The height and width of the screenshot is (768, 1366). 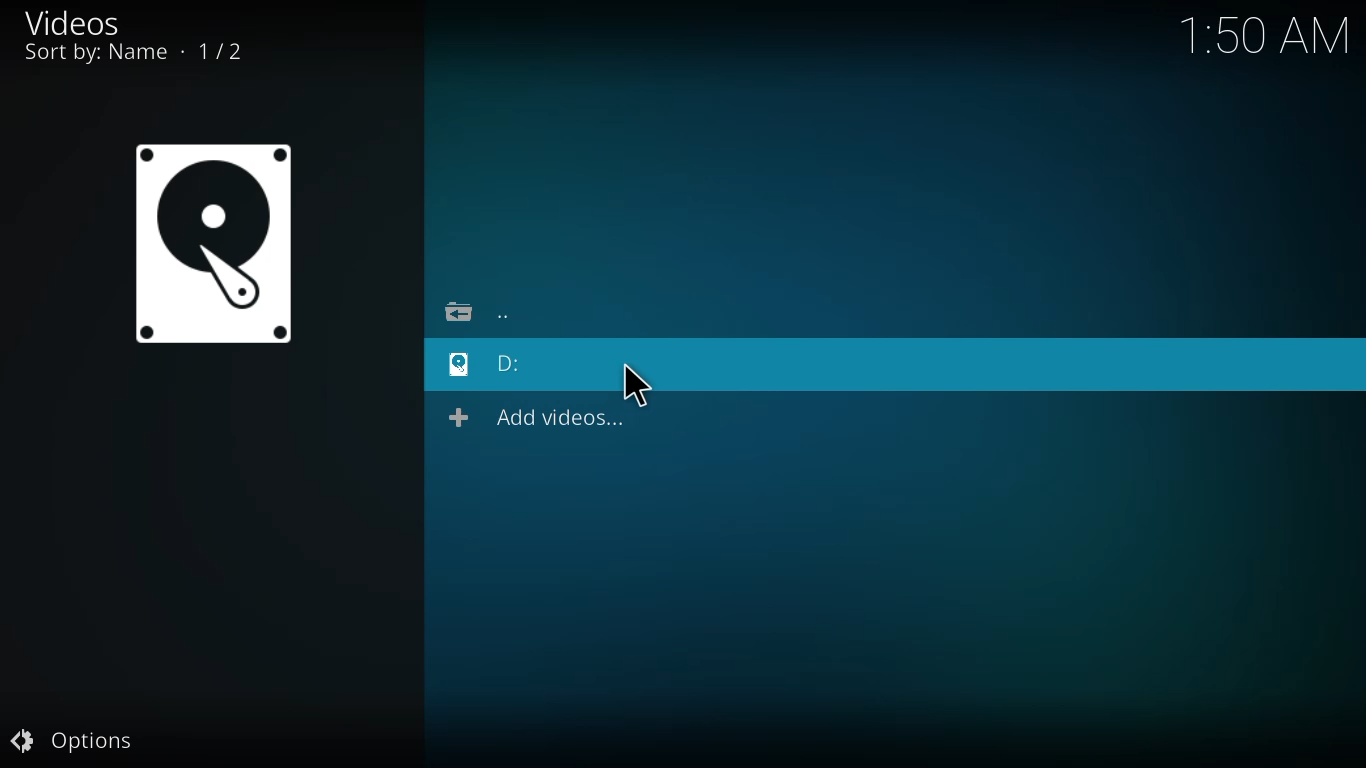 What do you see at coordinates (1265, 40) in the screenshot?
I see `time` at bounding box center [1265, 40].